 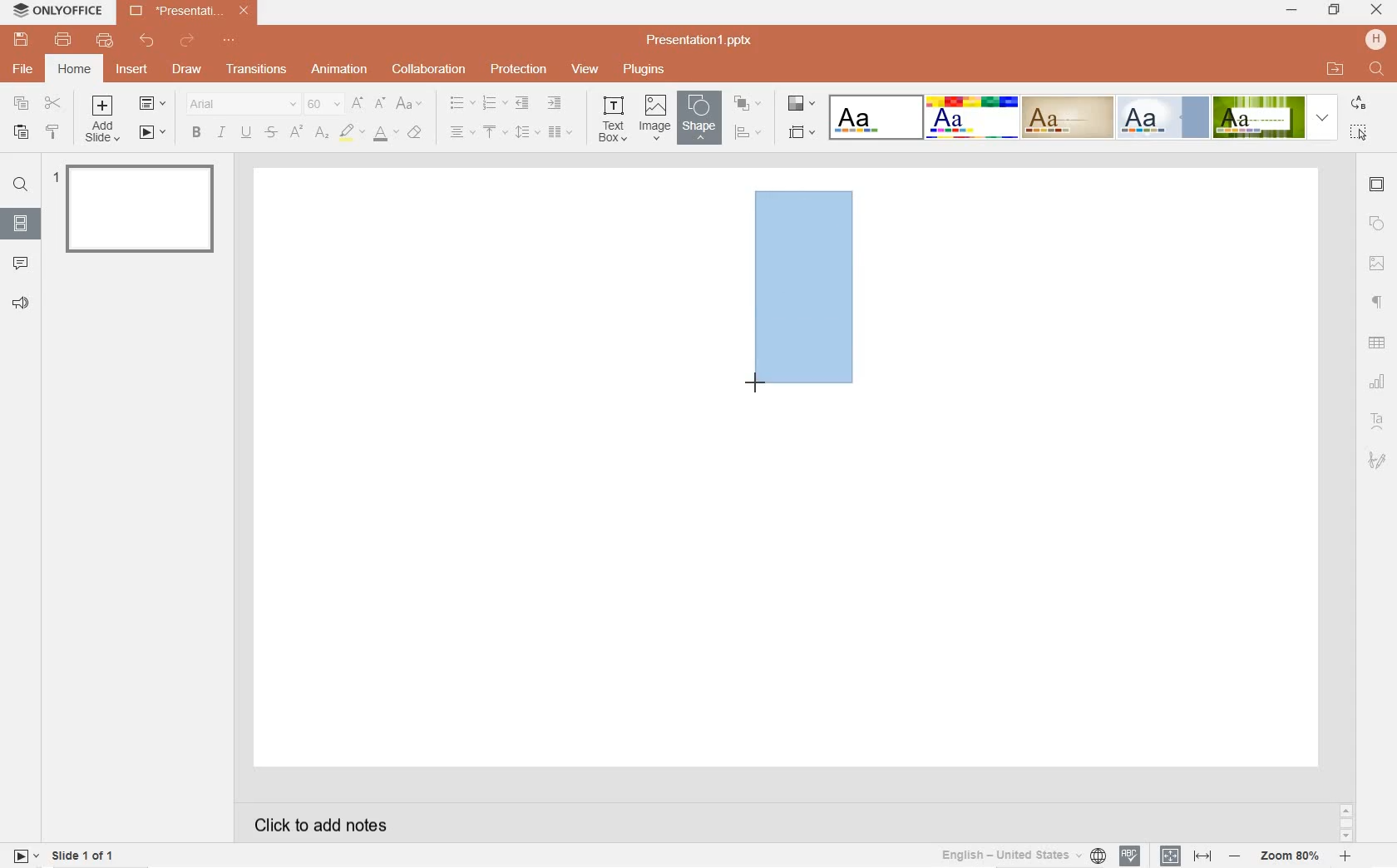 What do you see at coordinates (239, 104) in the screenshot?
I see `font name: Arial` at bounding box center [239, 104].